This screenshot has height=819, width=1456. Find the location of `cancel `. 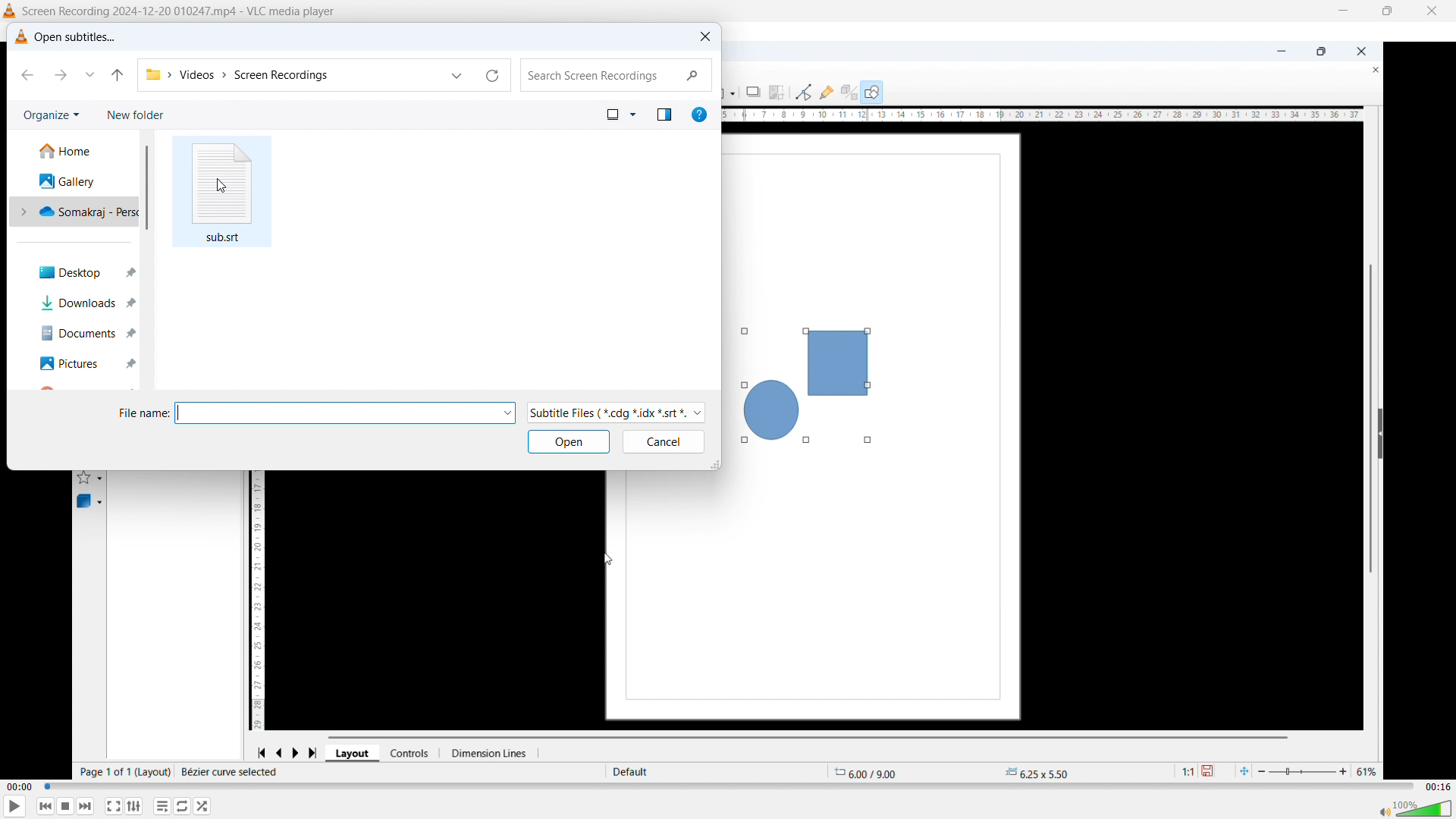

cancel  is located at coordinates (663, 442).